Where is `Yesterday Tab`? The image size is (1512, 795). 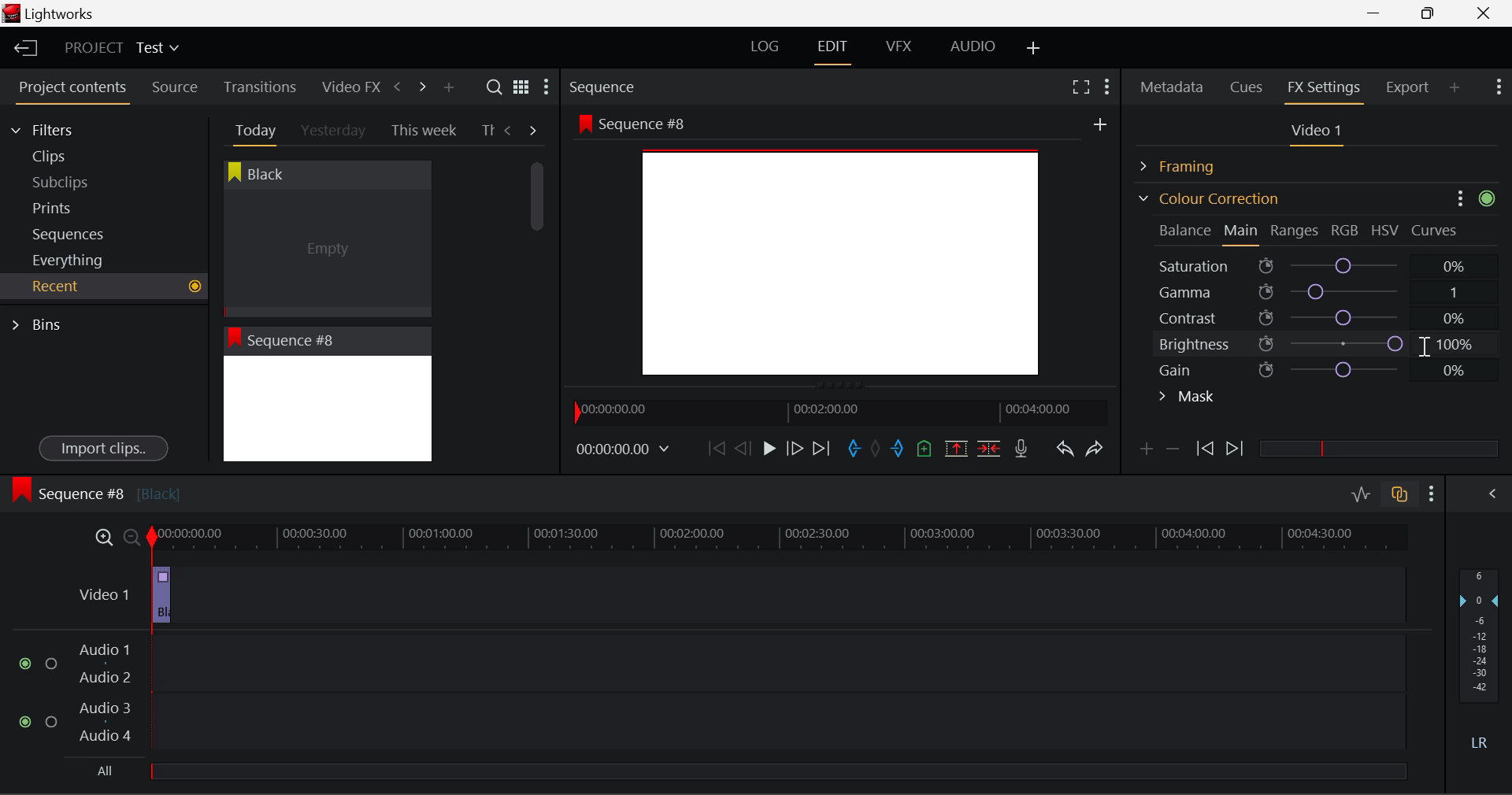 Yesterday Tab is located at coordinates (335, 131).